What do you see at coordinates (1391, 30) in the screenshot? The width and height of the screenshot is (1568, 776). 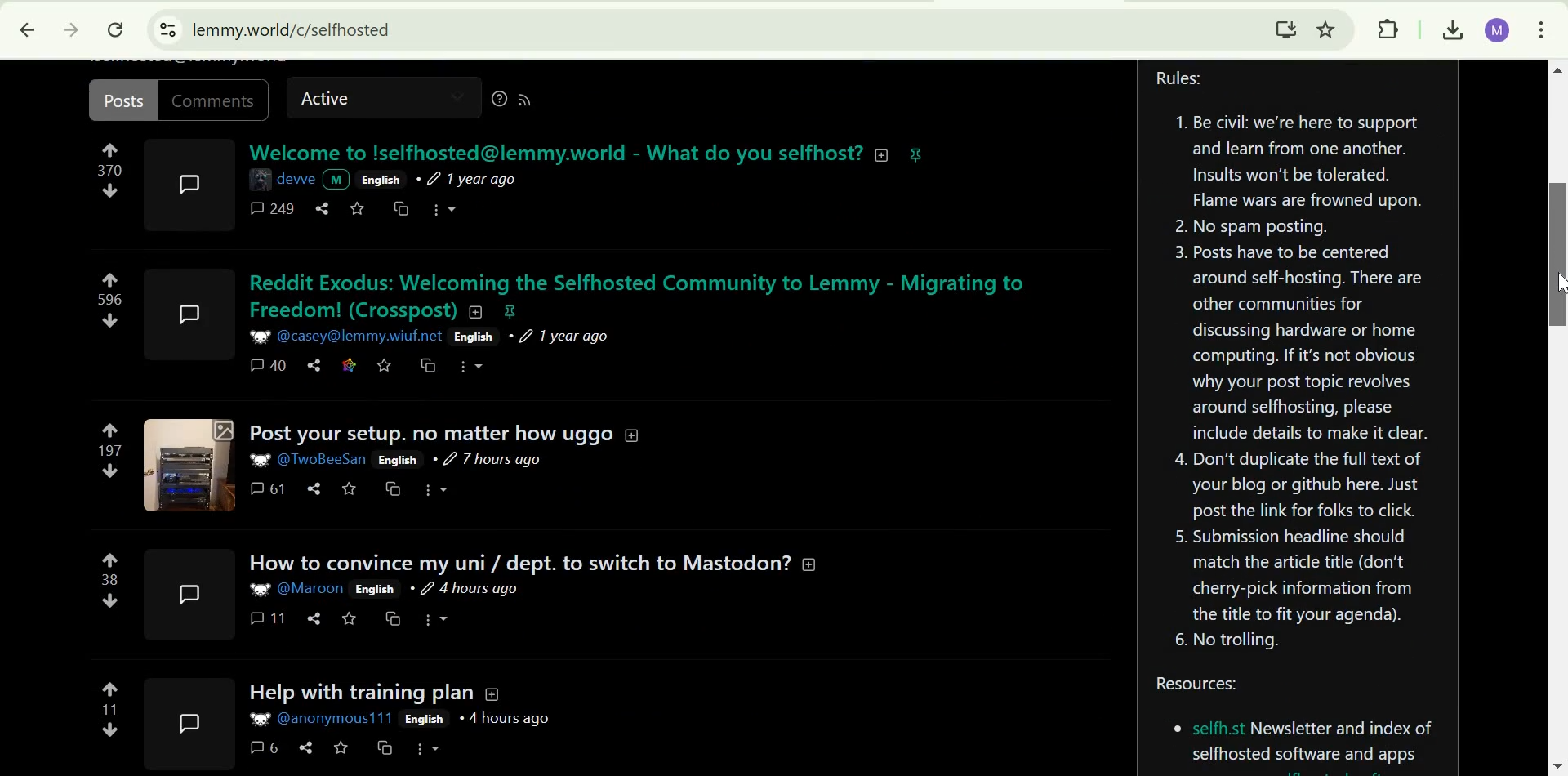 I see `extensions` at bounding box center [1391, 30].